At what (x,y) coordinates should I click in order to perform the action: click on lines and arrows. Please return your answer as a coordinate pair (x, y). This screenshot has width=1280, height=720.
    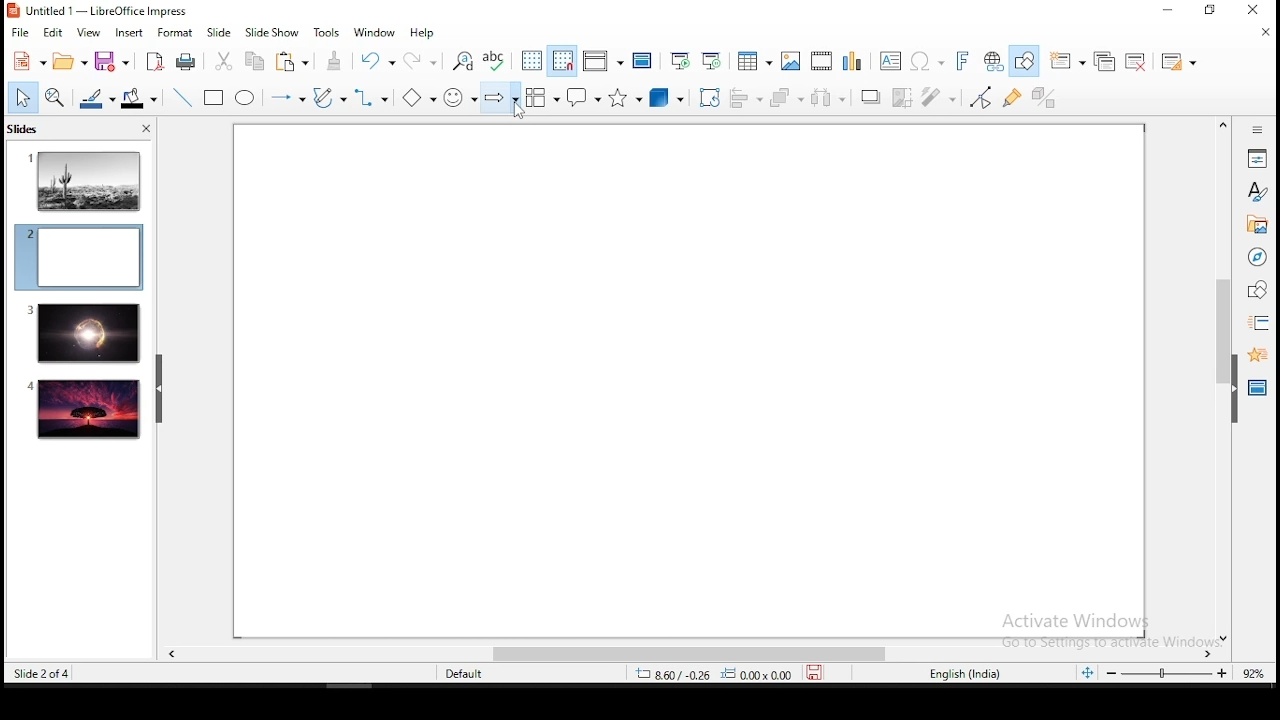
    Looking at the image, I should click on (287, 98).